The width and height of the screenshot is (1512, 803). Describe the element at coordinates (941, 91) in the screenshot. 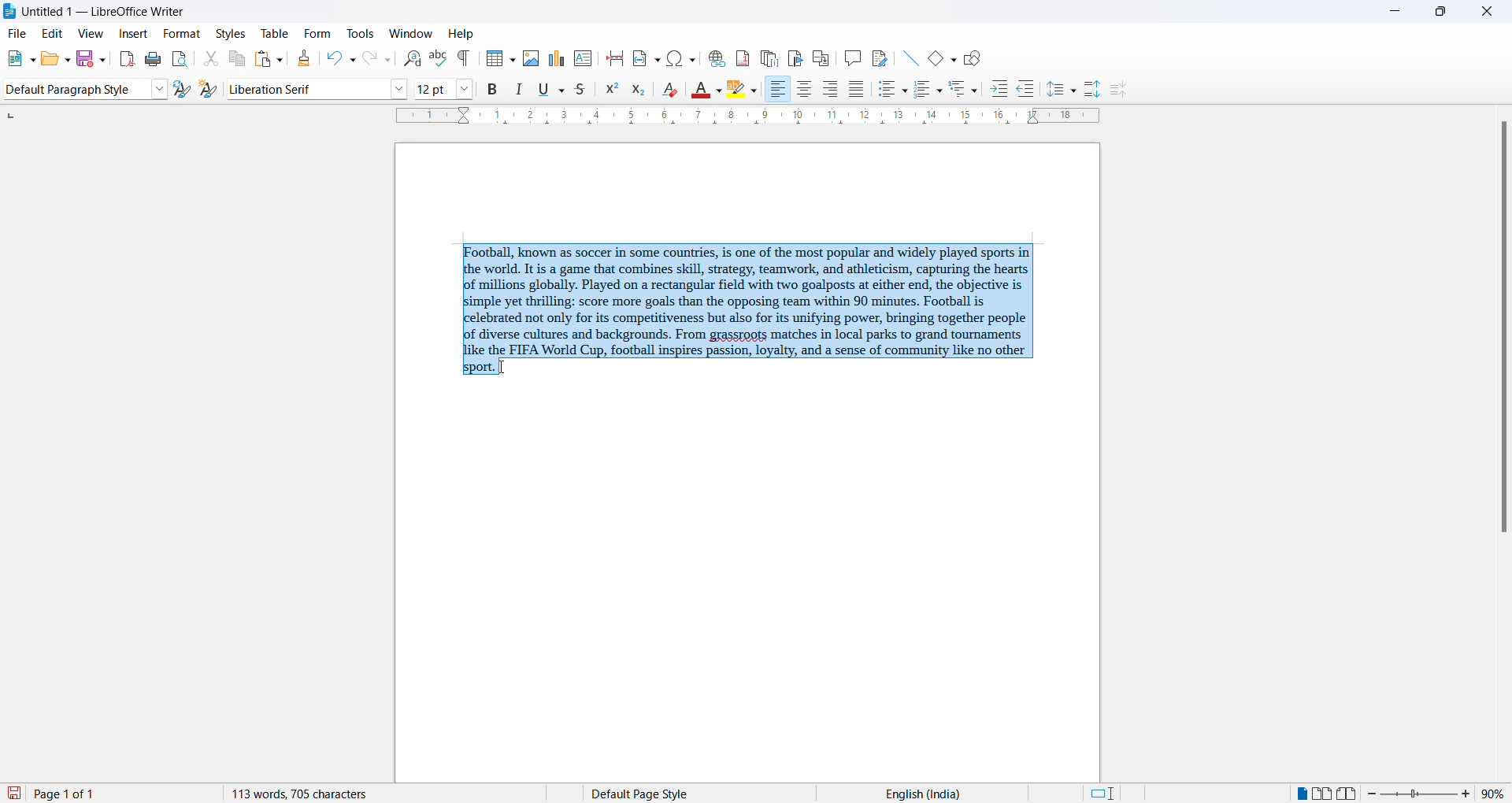

I see `toggle ordered list ` at that location.